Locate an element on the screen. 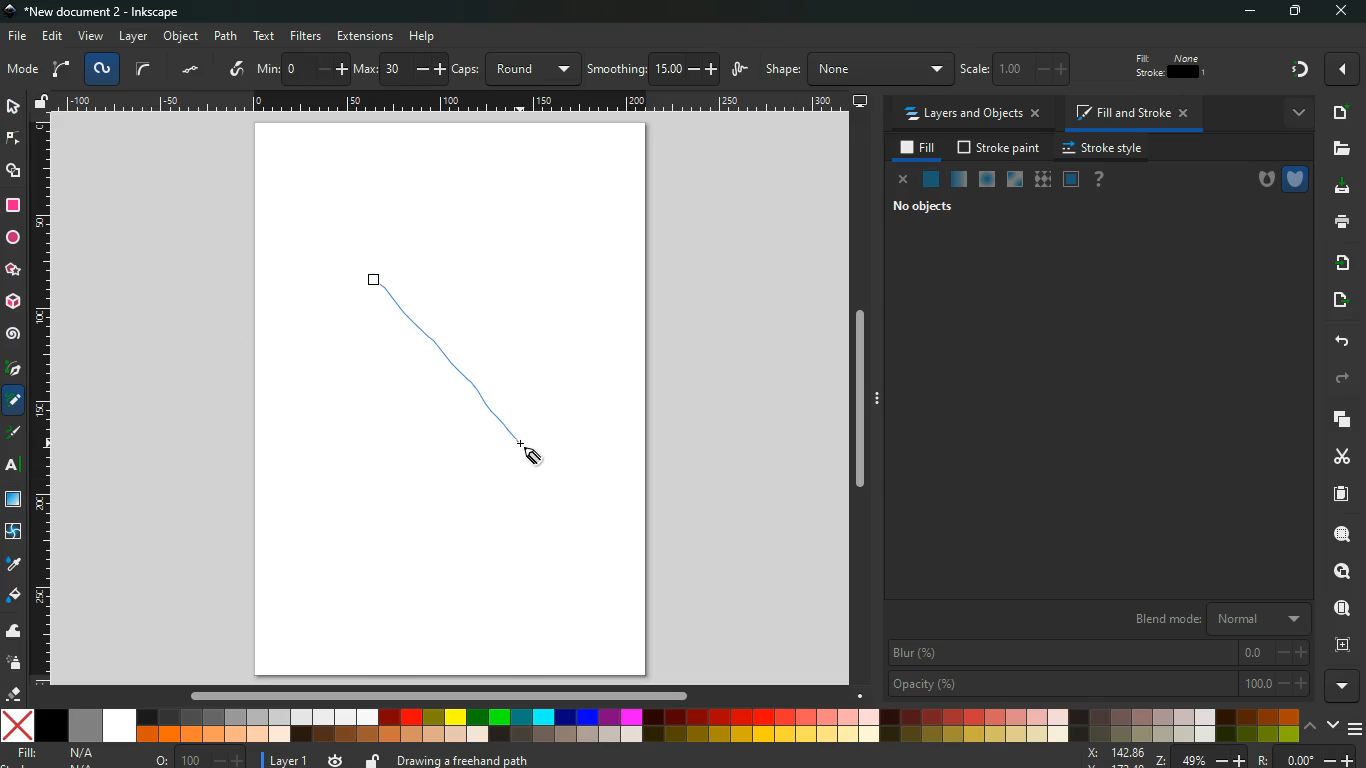 The width and height of the screenshot is (1366, 768). natural is located at coordinates (931, 178).